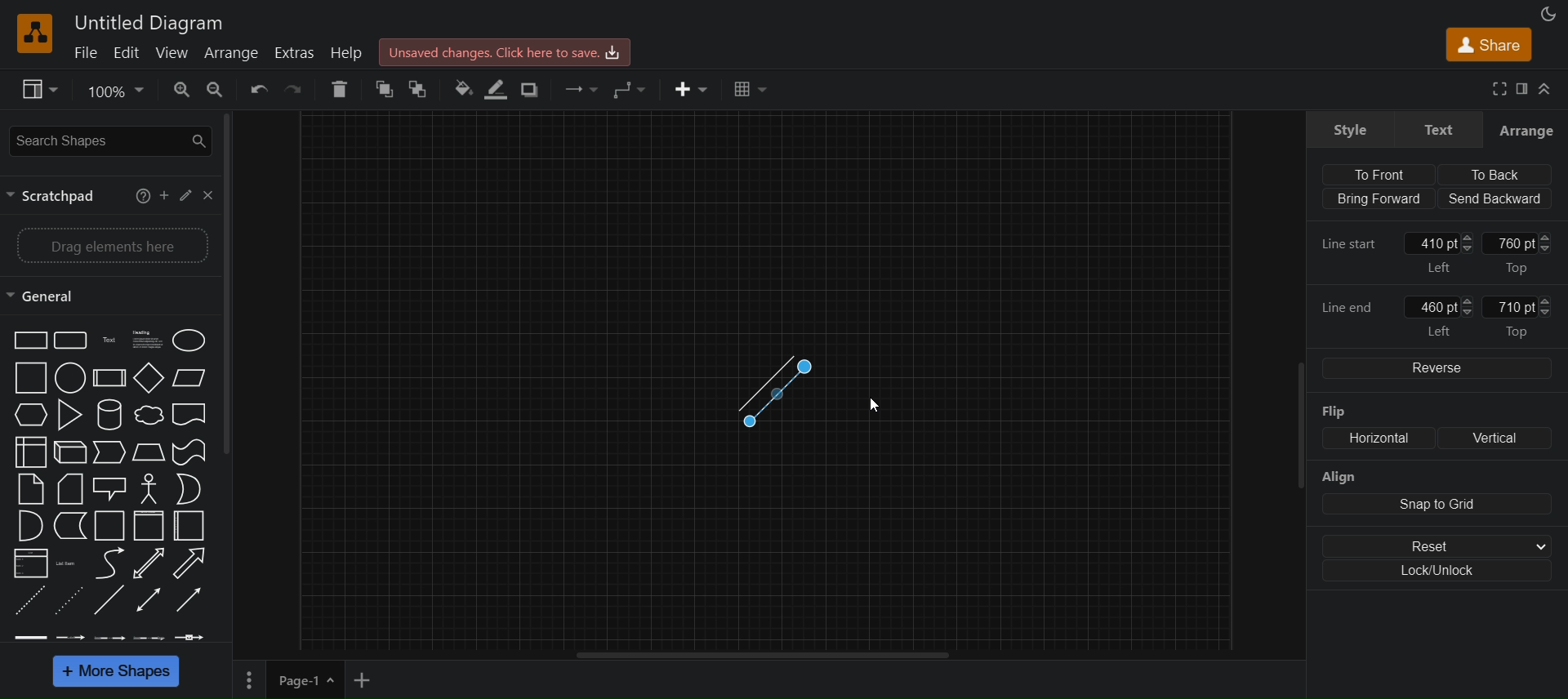 This screenshot has width=1568, height=699. I want to click on reverse, so click(1434, 367).